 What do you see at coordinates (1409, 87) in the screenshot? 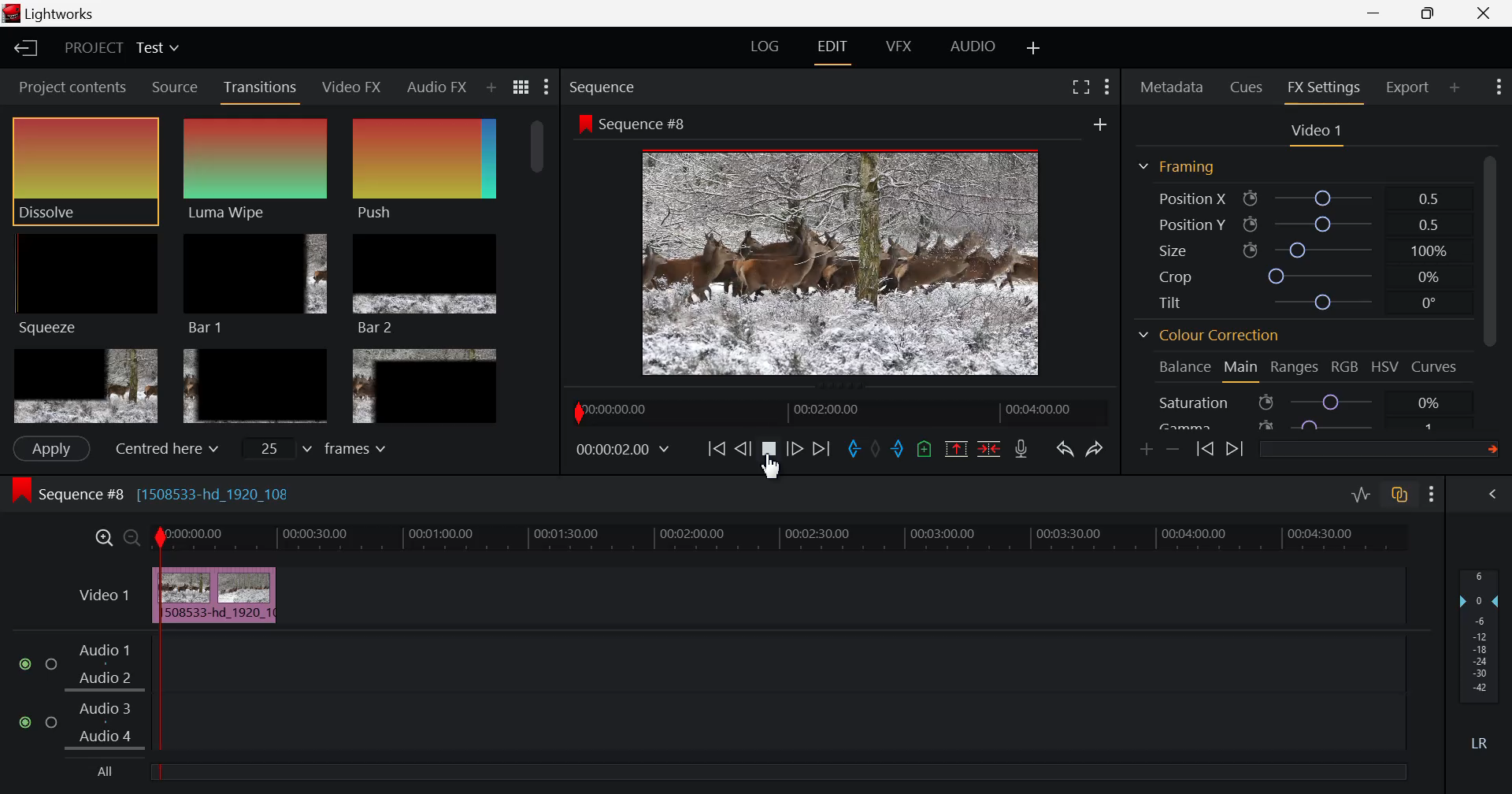
I see `Export` at bounding box center [1409, 87].